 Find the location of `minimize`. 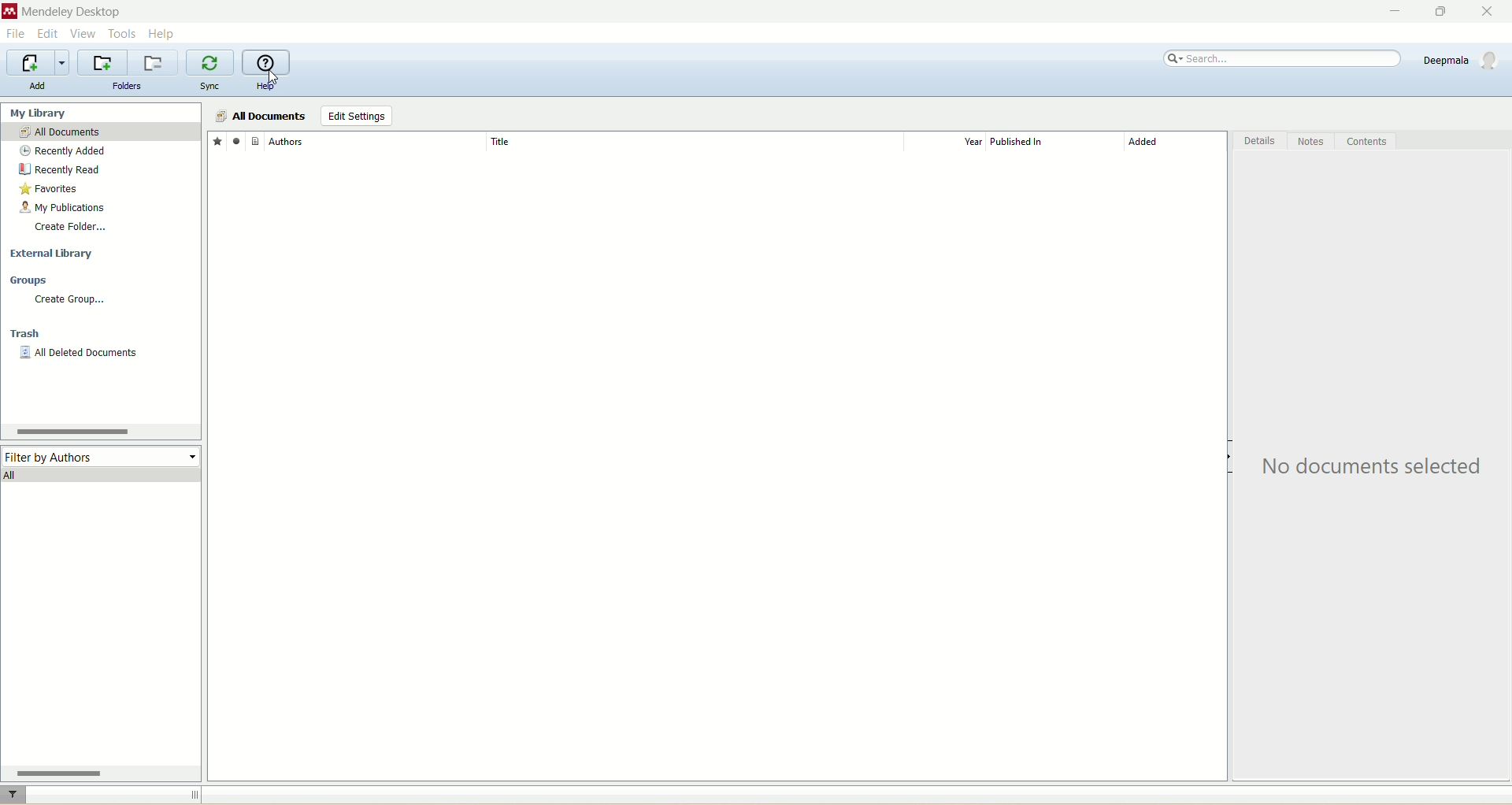

minimize is located at coordinates (1393, 12).